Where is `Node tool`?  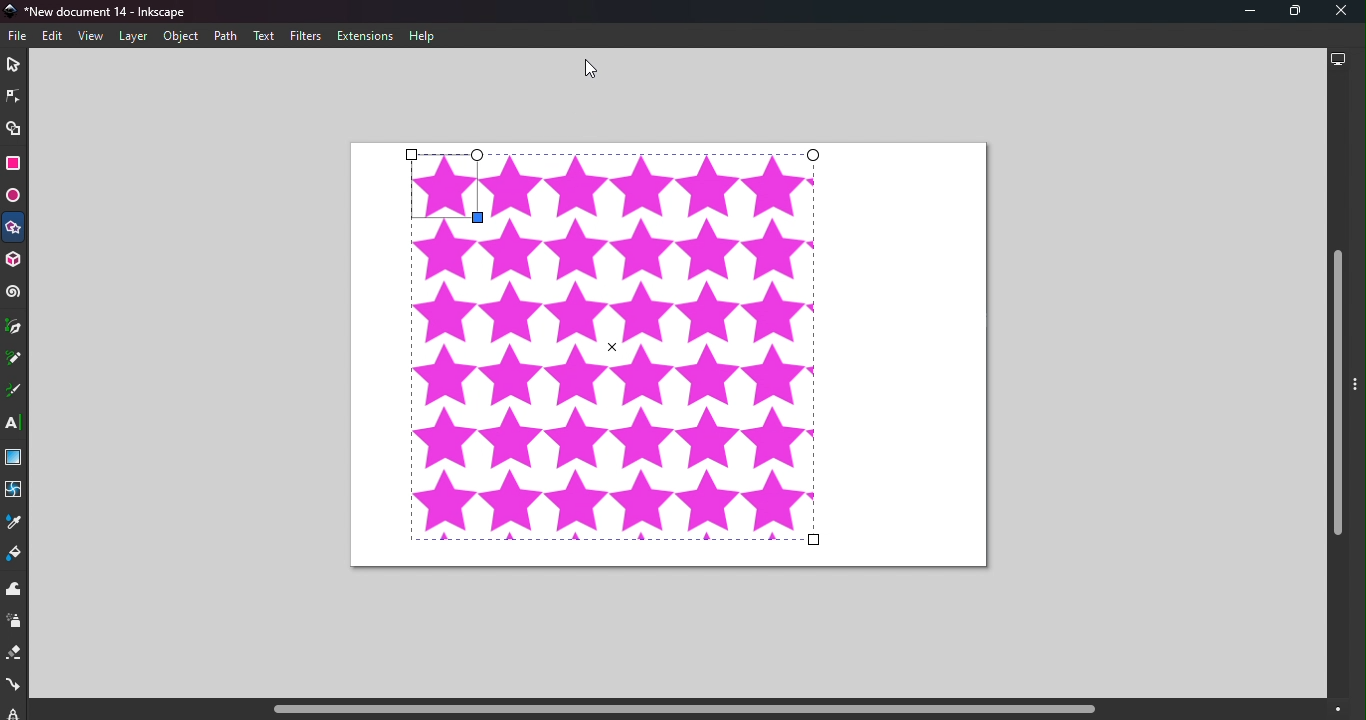 Node tool is located at coordinates (12, 96).